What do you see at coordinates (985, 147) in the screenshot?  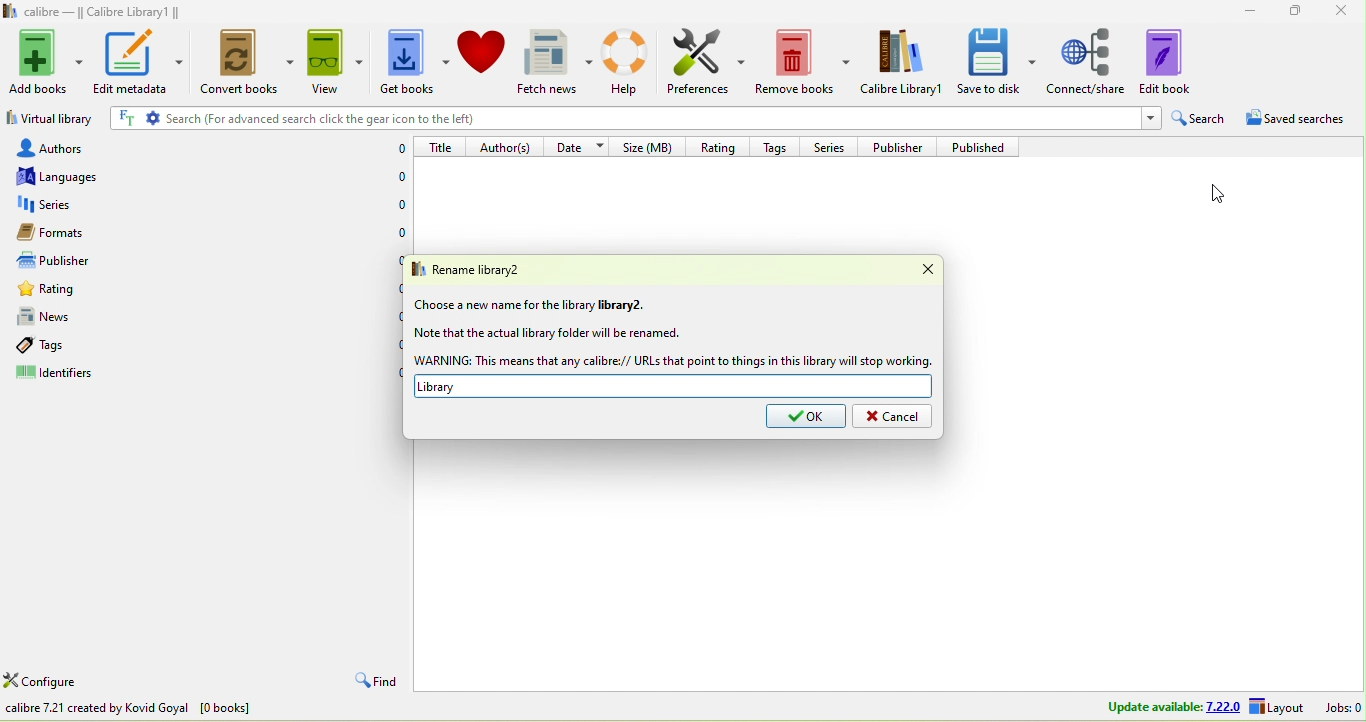 I see `published` at bounding box center [985, 147].